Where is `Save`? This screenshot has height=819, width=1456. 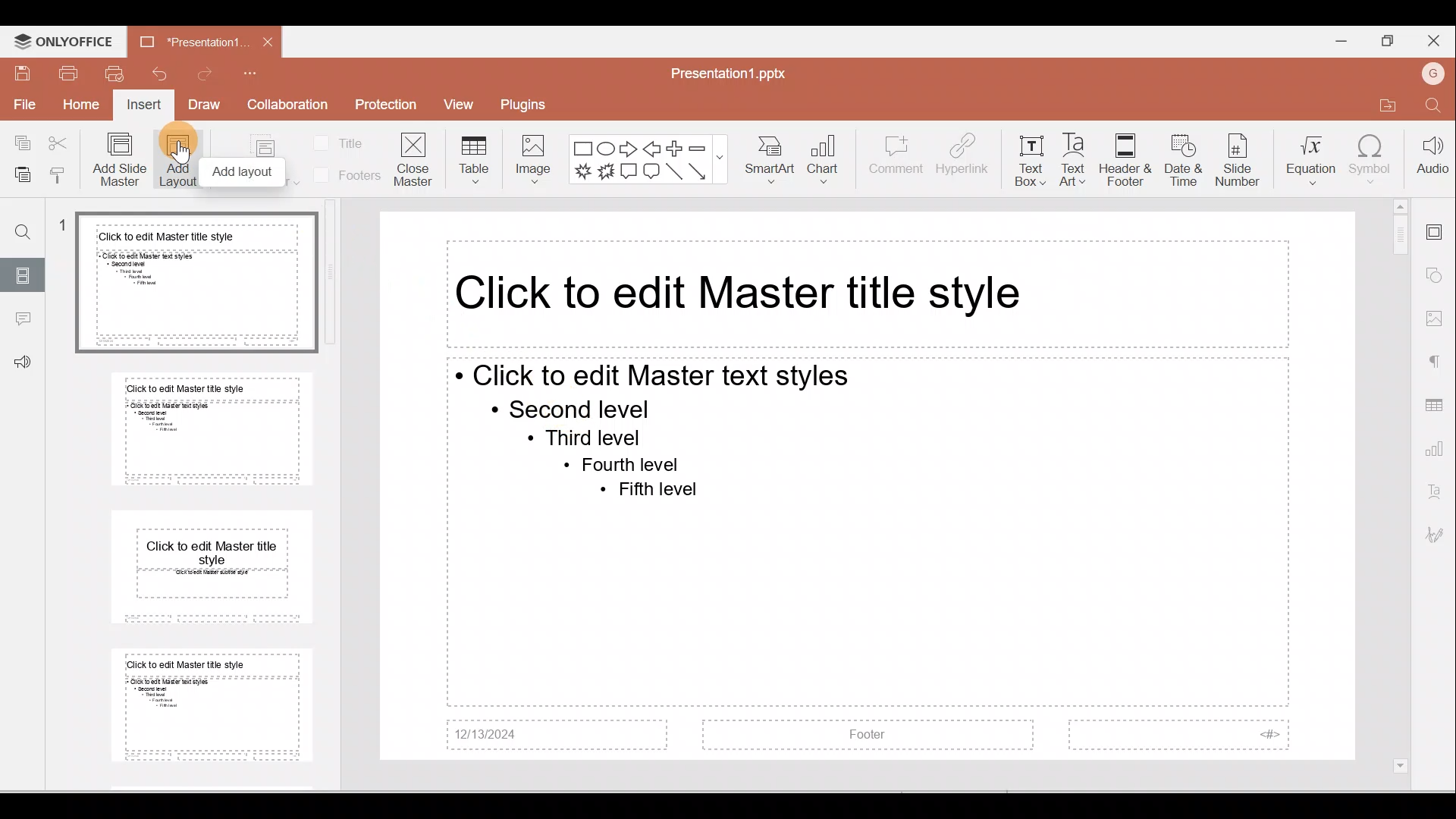
Save is located at coordinates (19, 72).